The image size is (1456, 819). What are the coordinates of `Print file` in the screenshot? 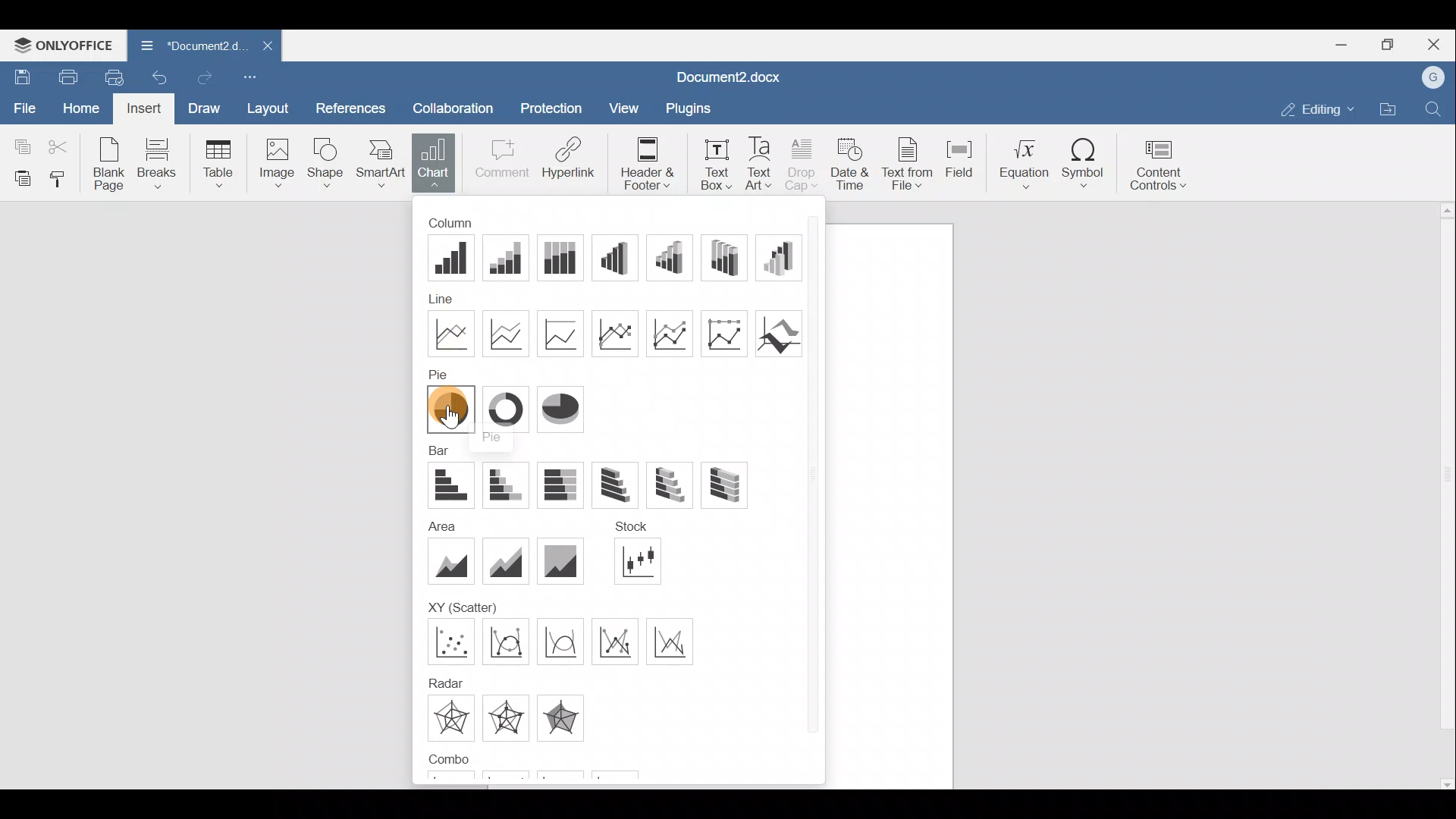 It's located at (67, 76).